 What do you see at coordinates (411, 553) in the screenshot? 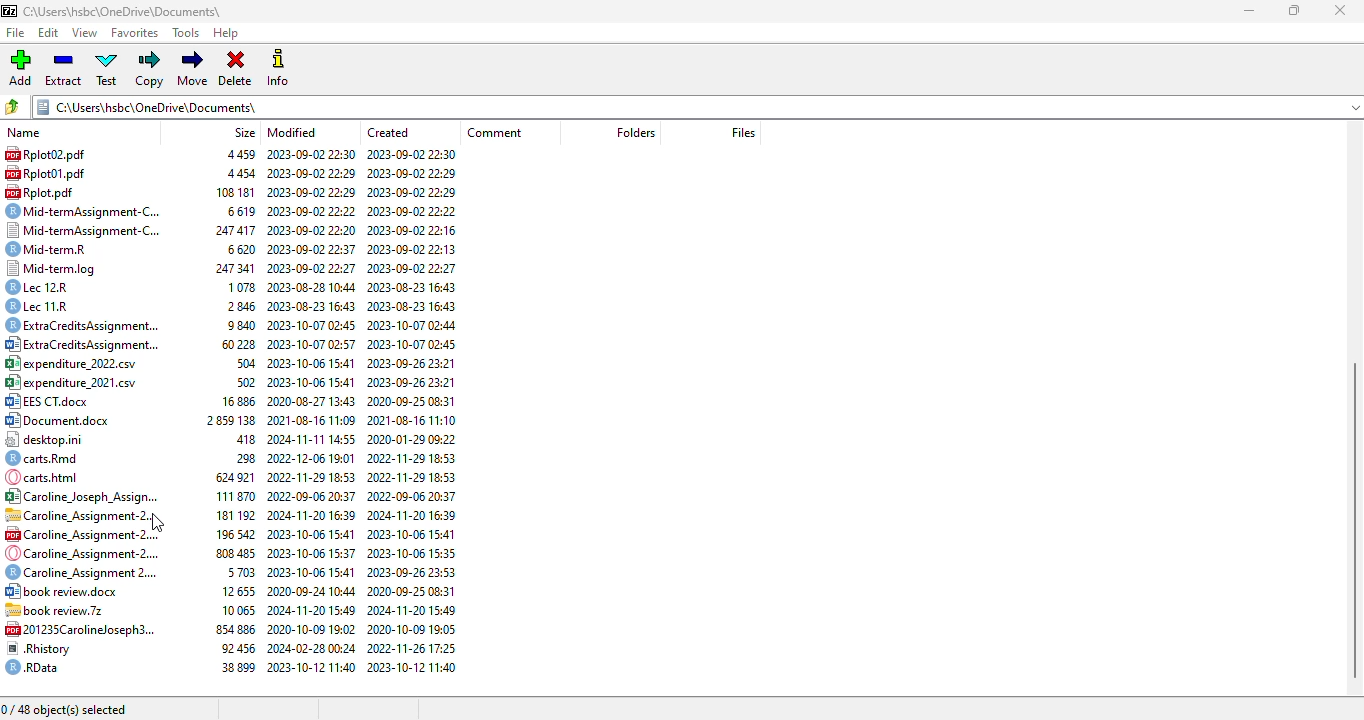
I see `2023-10-06 15:35` at bounding box center [411, 553].